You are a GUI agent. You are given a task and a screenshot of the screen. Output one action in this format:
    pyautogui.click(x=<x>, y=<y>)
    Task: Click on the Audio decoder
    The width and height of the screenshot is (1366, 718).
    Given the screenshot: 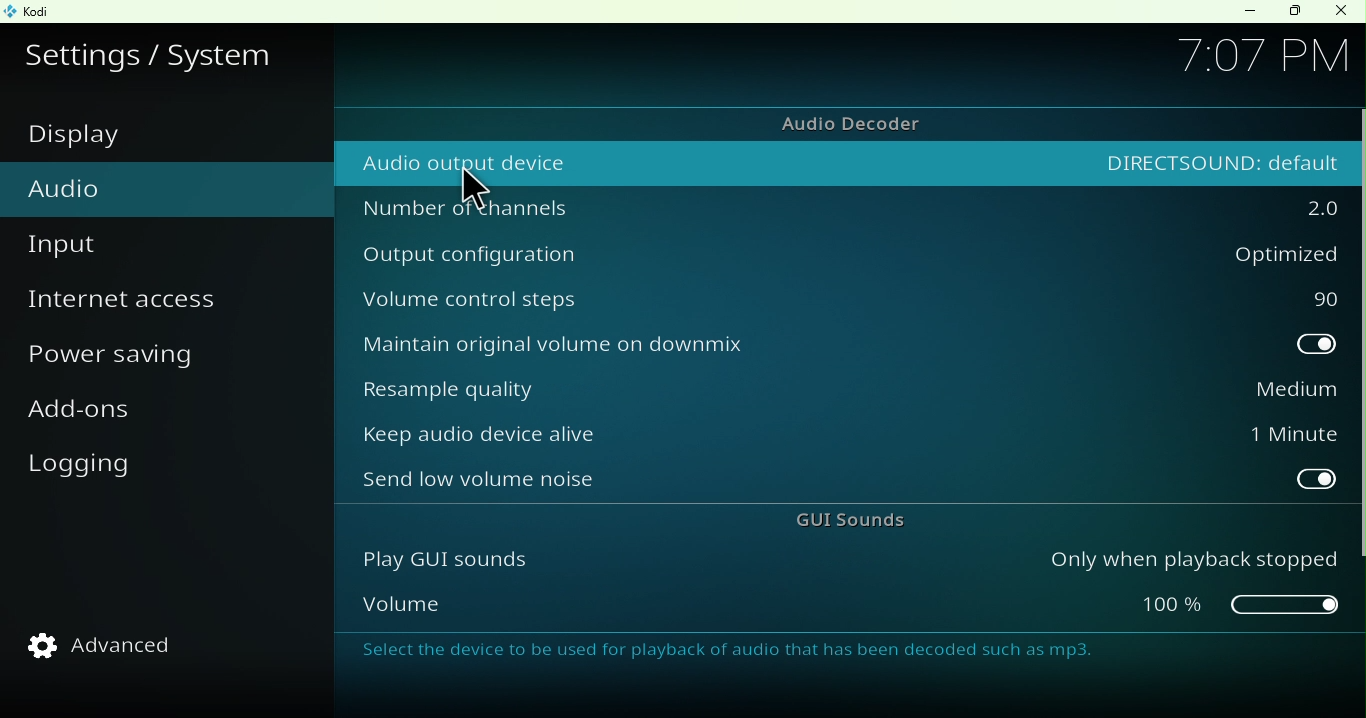 What is the action you would take?
    pyautogui.click(x=842, y=121)
    